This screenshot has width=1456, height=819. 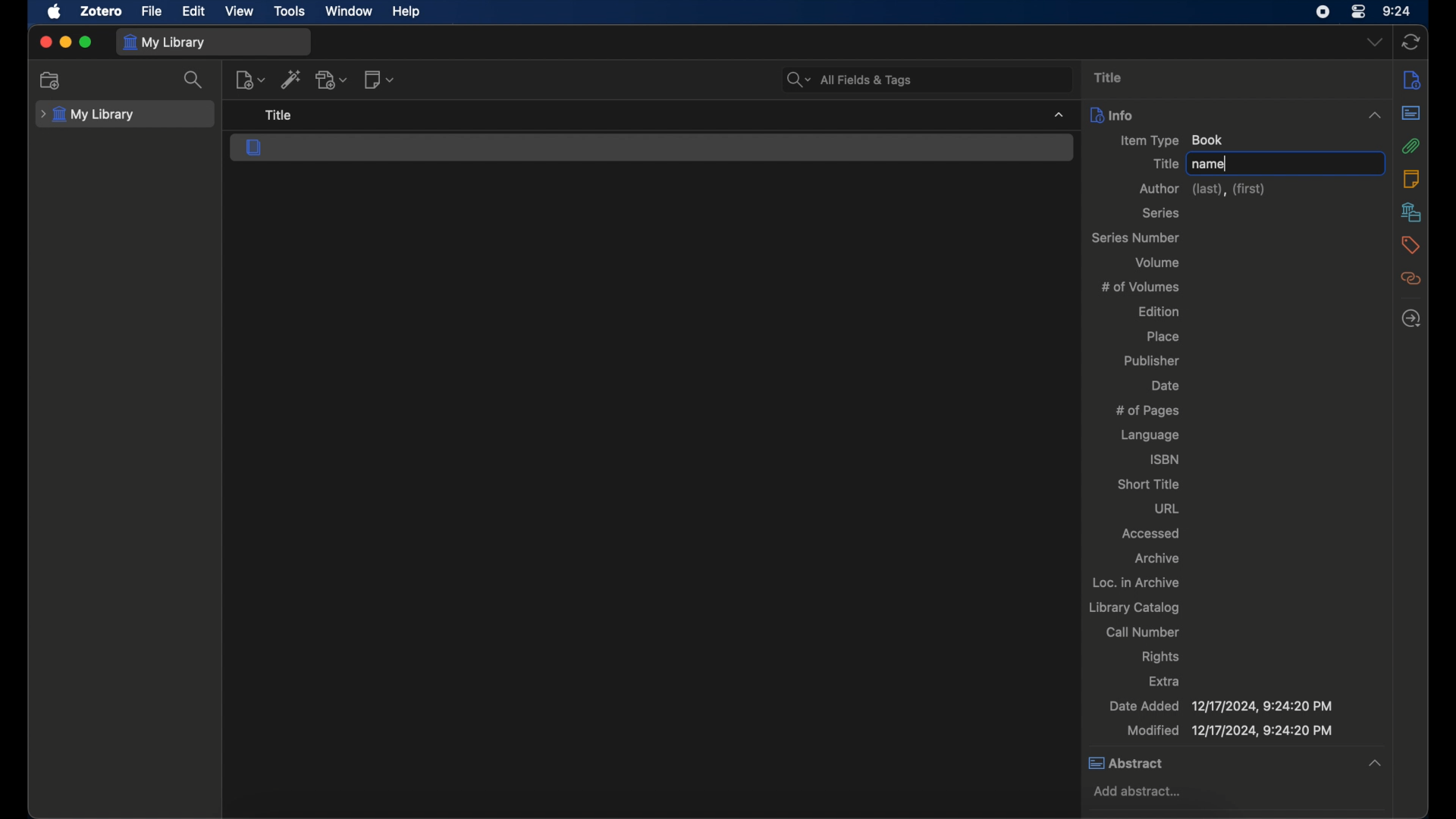 What do you see at coordinates (1160, 656) in the screenshot?
I see `rights` at bounding box center [1160, 656].